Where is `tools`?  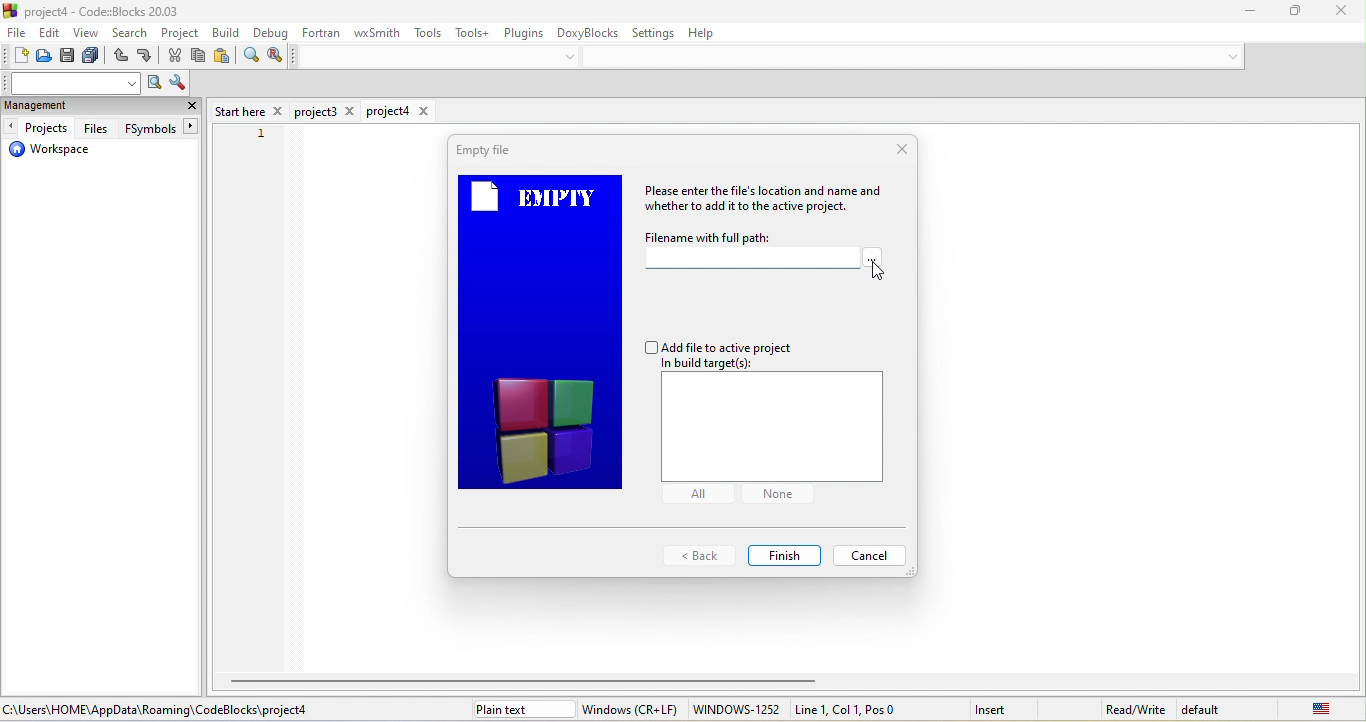 tools is located at coordinates (430, 33).